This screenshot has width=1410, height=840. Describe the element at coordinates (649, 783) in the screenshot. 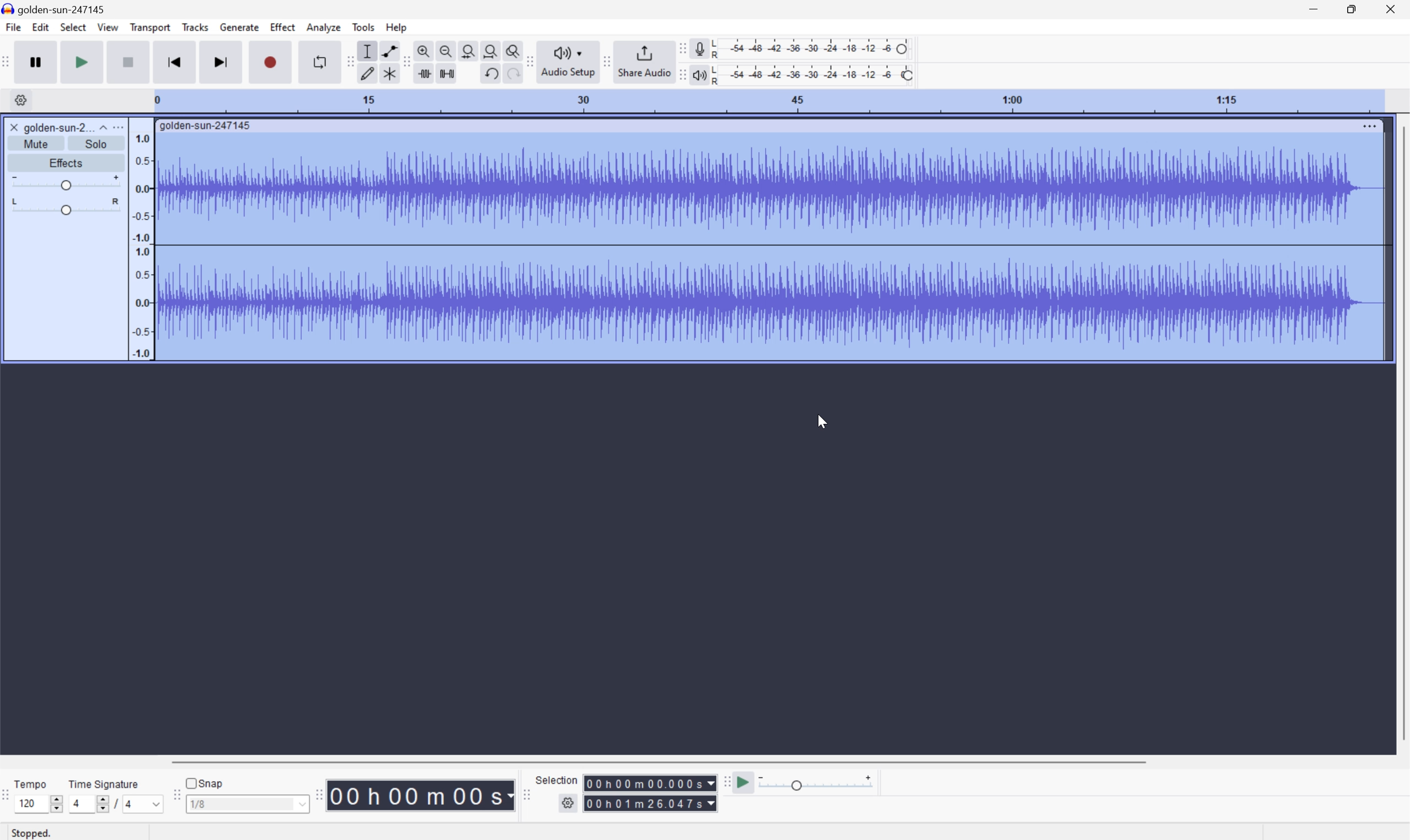

I see `Selection` at that location.